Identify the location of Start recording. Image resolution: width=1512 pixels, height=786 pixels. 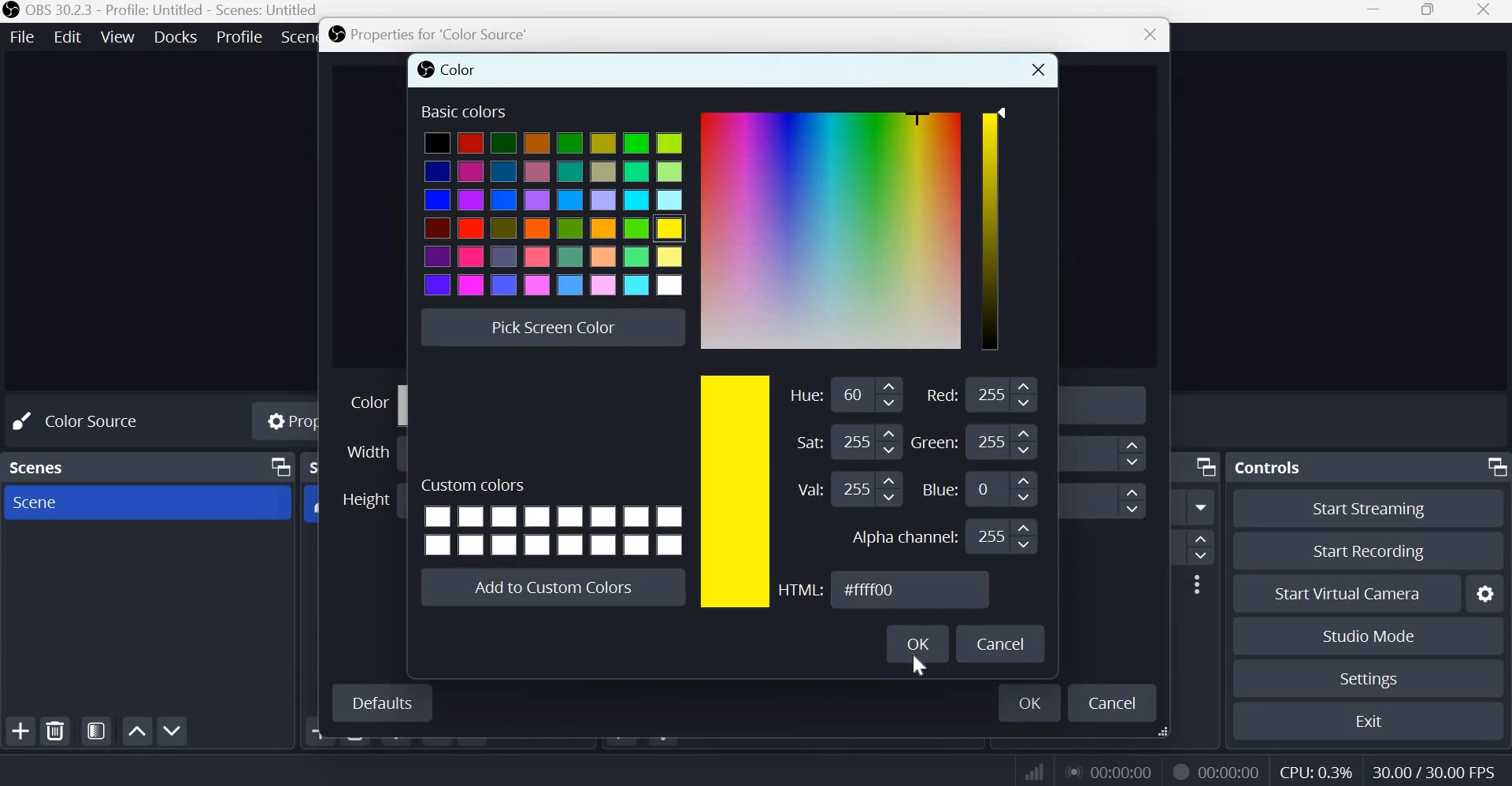
(1377, 552).